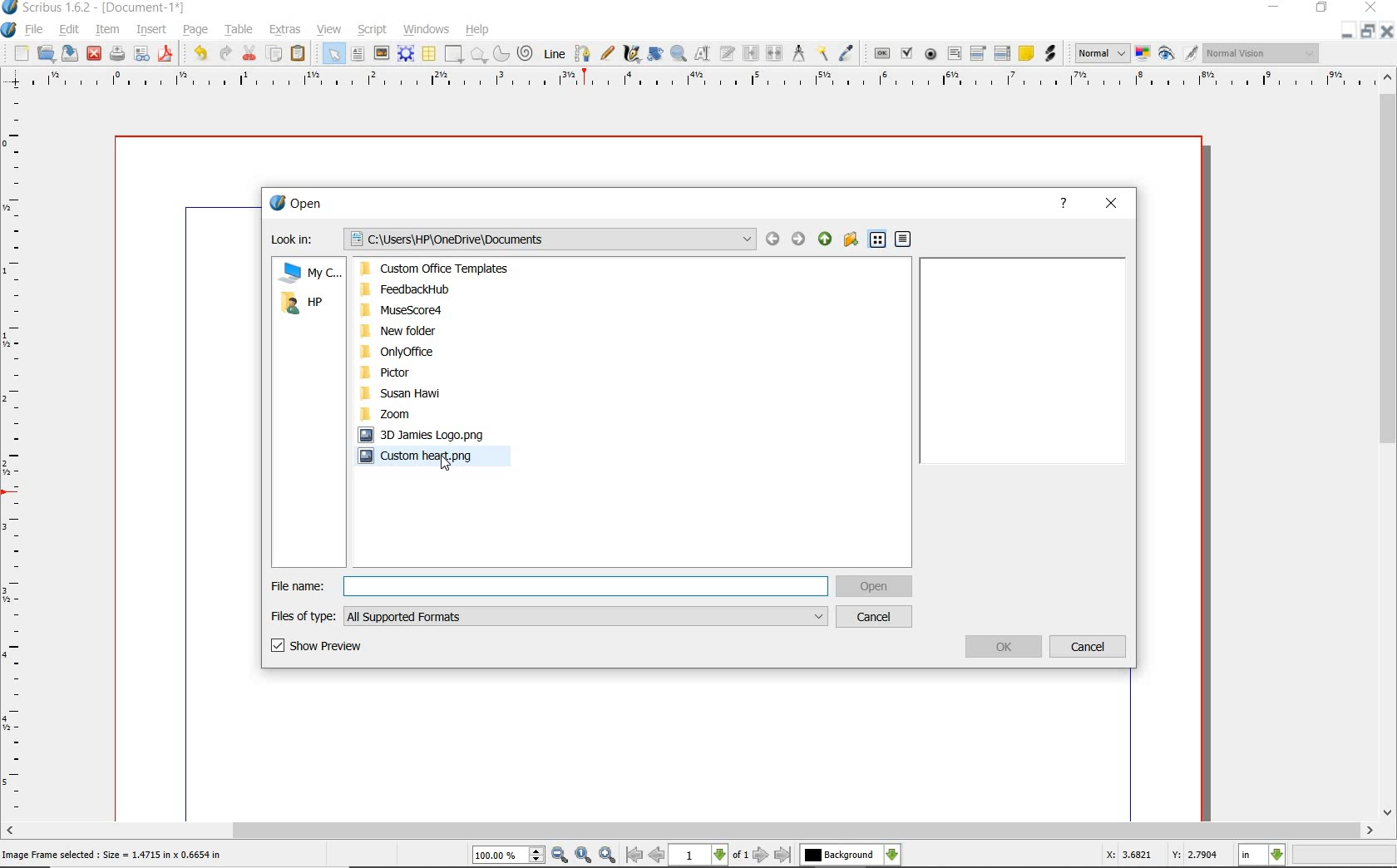 The width and height of the screenshot is (1397, 868). I want to click on render frame, so click(406, 52).